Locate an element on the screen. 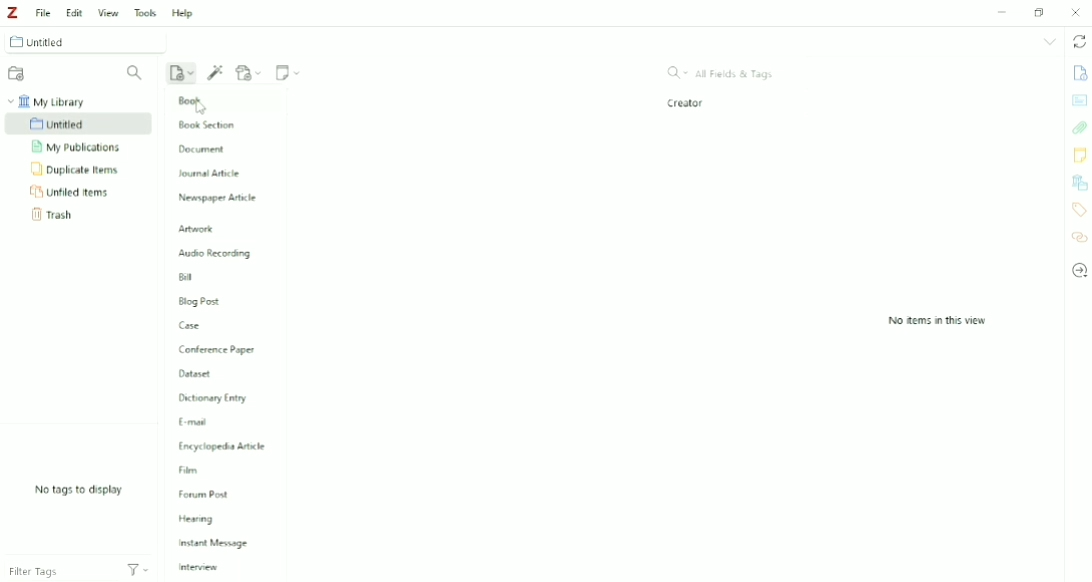  Dataset is located at coordinates (198, 374).